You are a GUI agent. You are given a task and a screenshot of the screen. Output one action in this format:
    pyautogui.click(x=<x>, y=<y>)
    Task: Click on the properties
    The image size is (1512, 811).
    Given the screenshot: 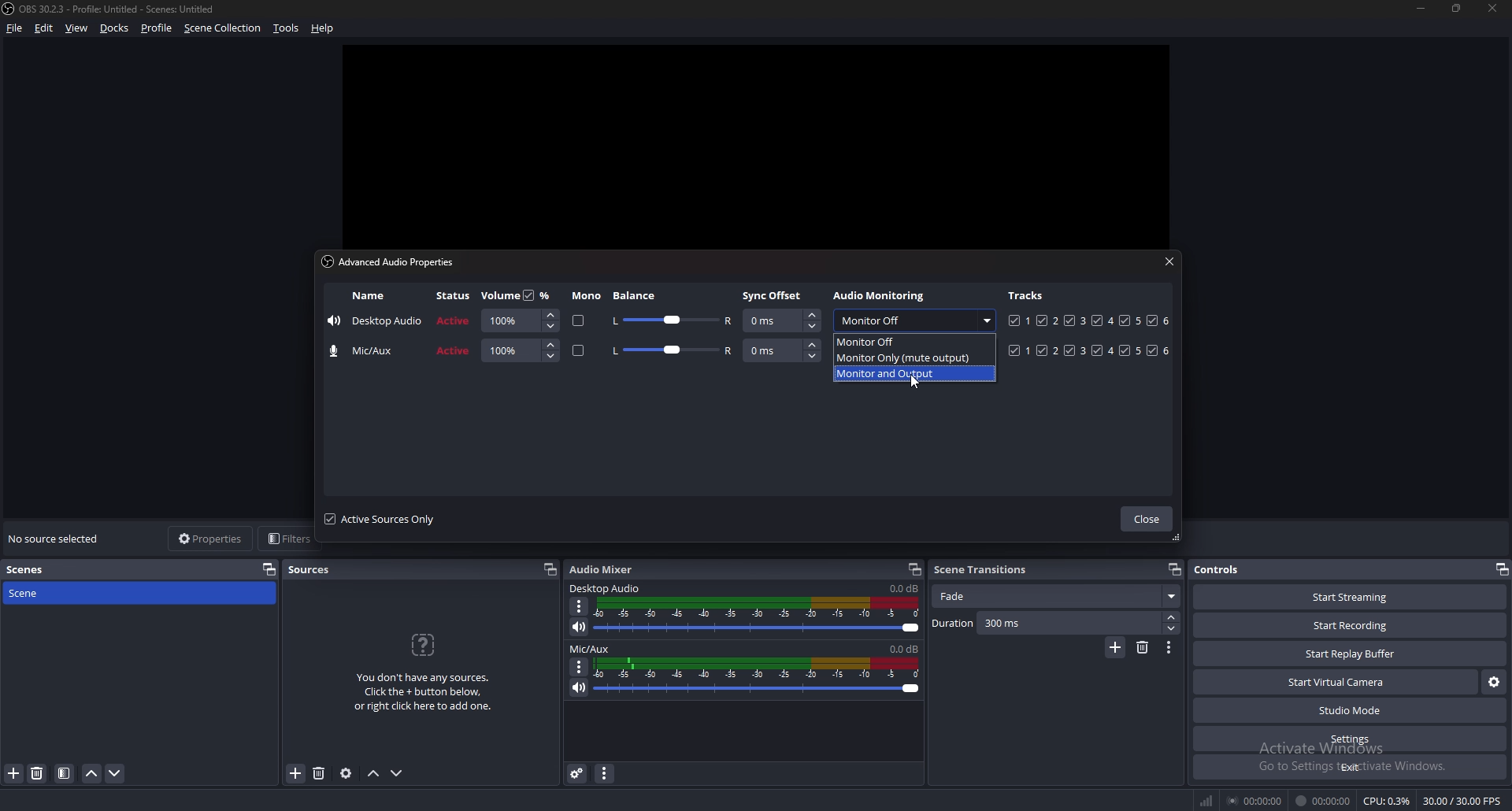 What is the action you would take?
    pyautogui.click(x=209, y=538)
    